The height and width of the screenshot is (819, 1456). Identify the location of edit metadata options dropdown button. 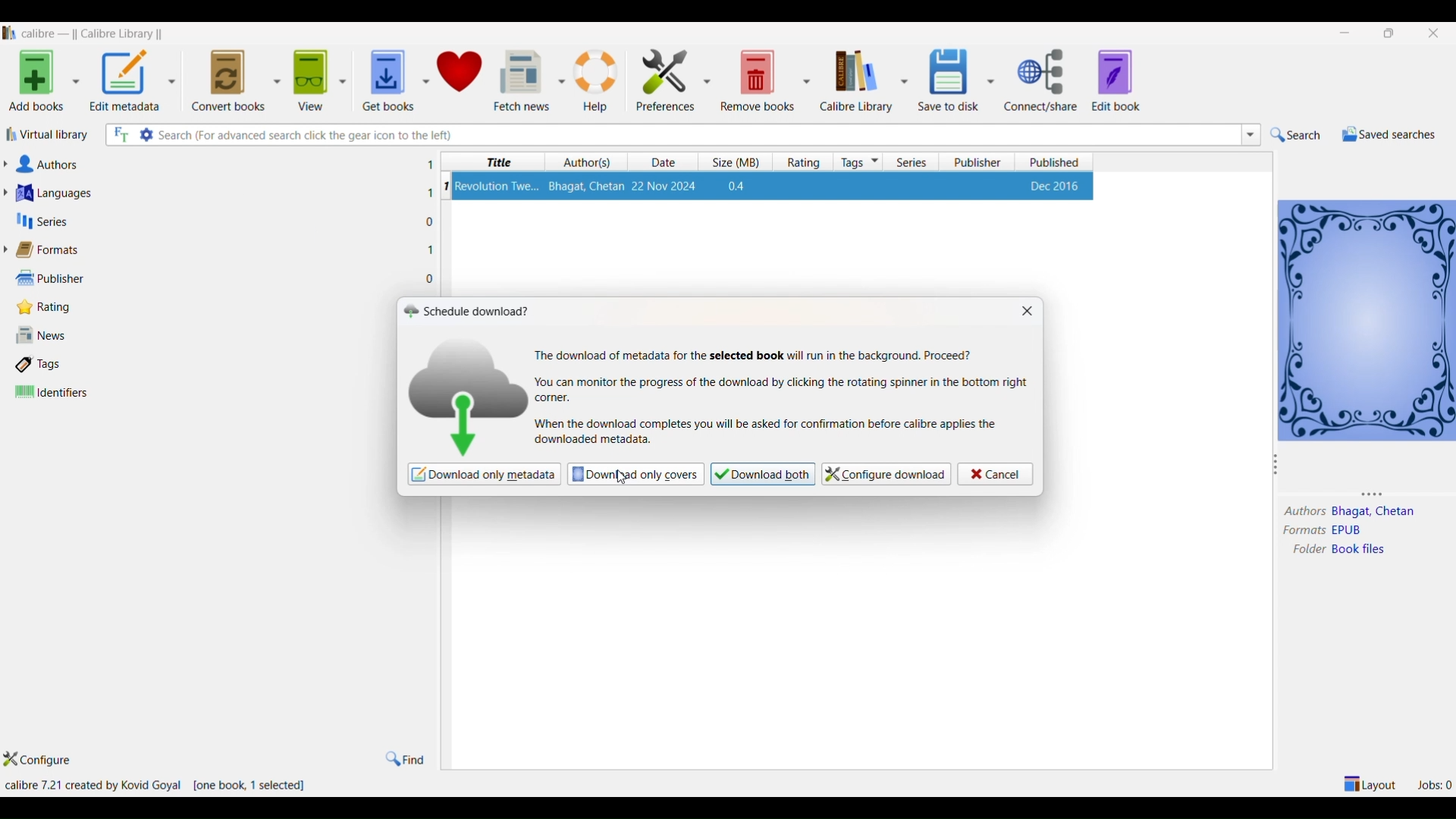
(177, 81).